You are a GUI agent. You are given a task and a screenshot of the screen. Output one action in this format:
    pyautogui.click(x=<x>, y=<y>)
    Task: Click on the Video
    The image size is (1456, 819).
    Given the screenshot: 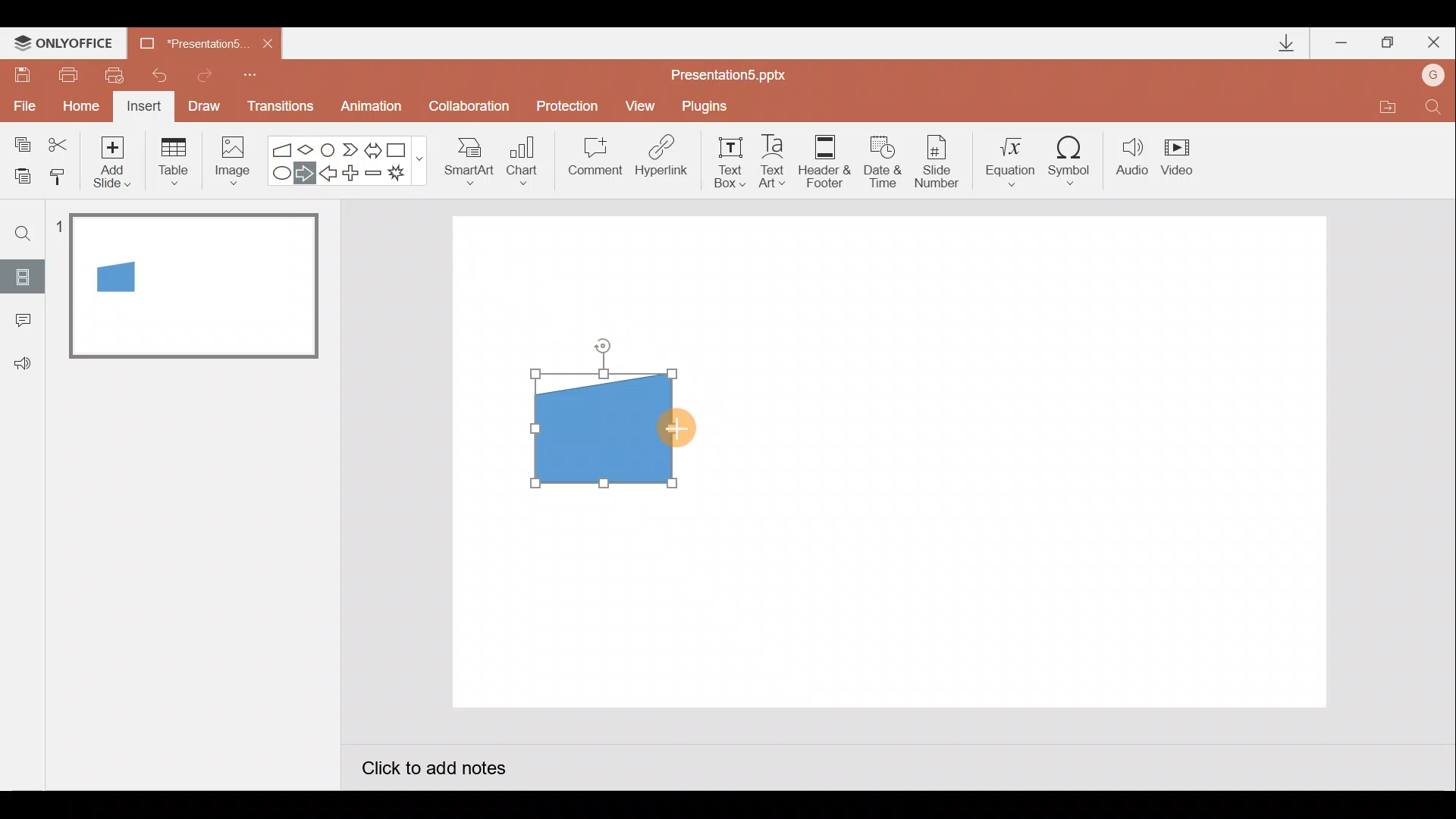 What is the action you would take?
    pyautogui.click(x=1183, y=158)
    